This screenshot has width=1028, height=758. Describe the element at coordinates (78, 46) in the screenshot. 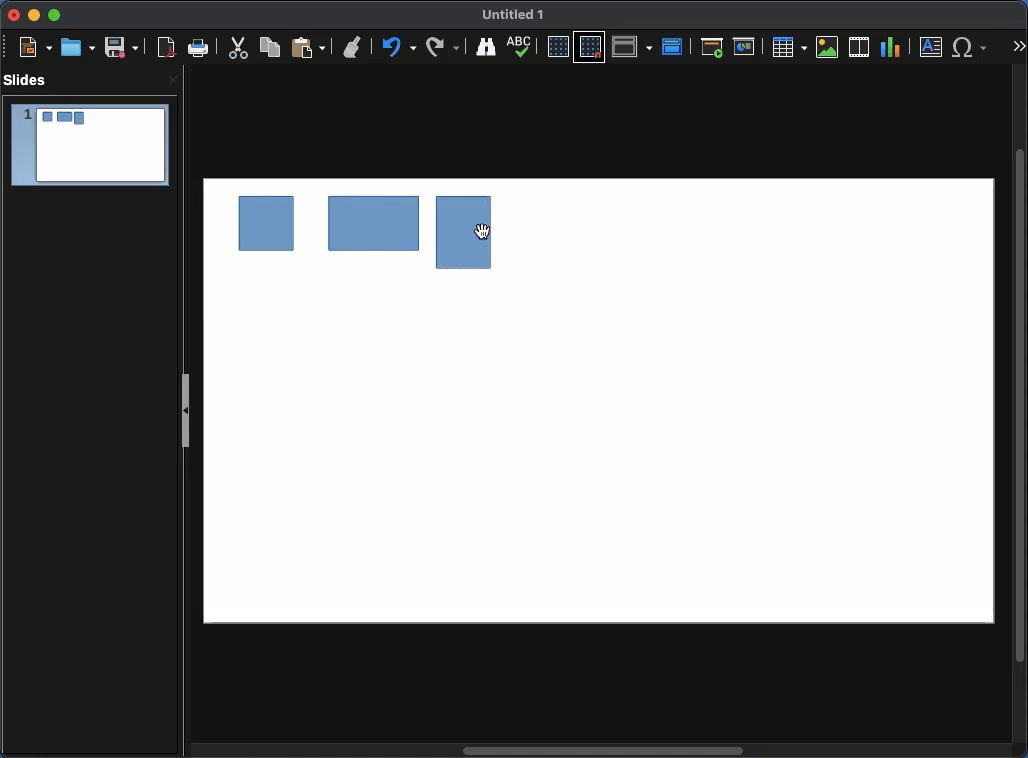

I see `Open` at that location.